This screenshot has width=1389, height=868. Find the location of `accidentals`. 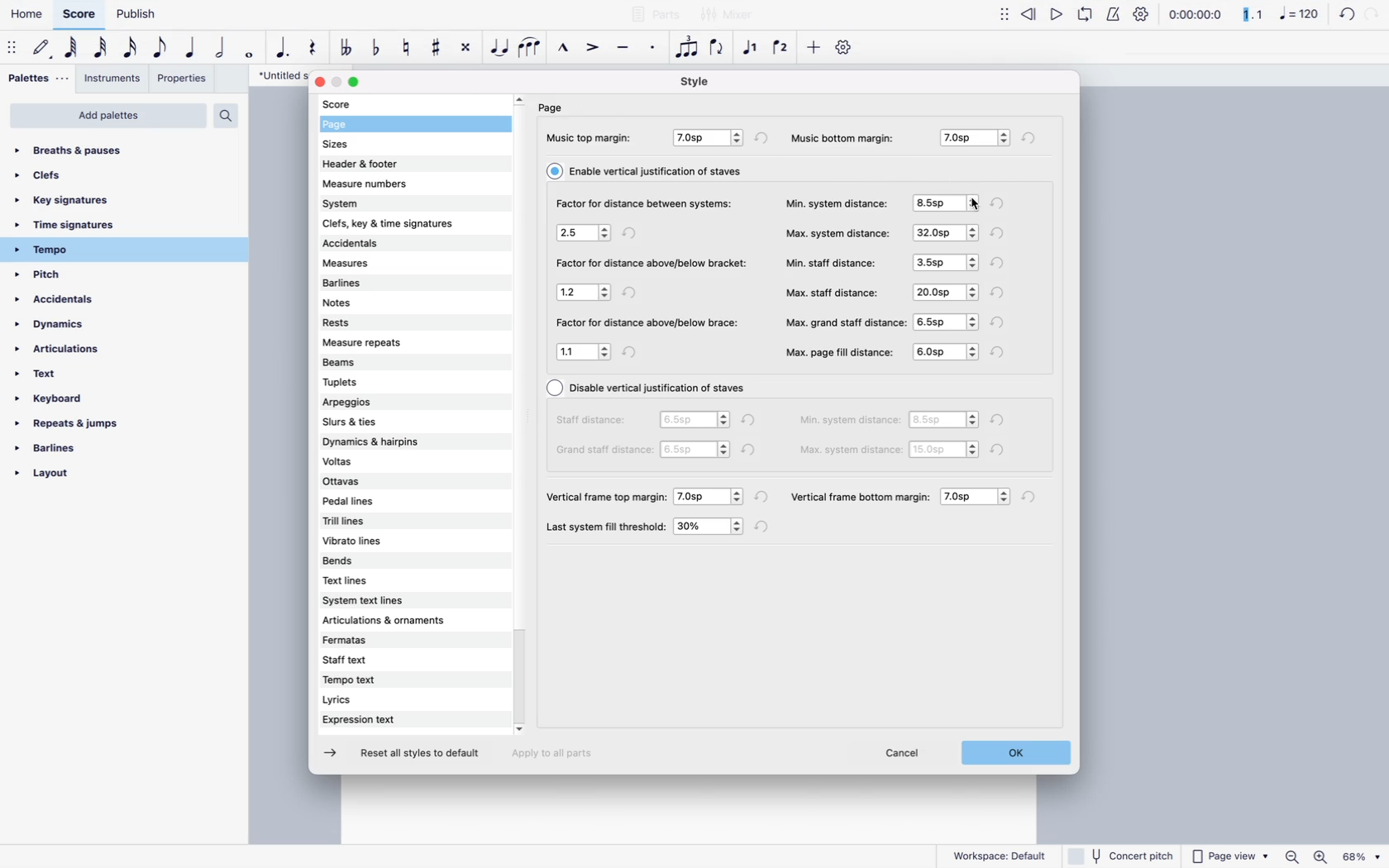

accidentals is located at coordinates (68, 303).